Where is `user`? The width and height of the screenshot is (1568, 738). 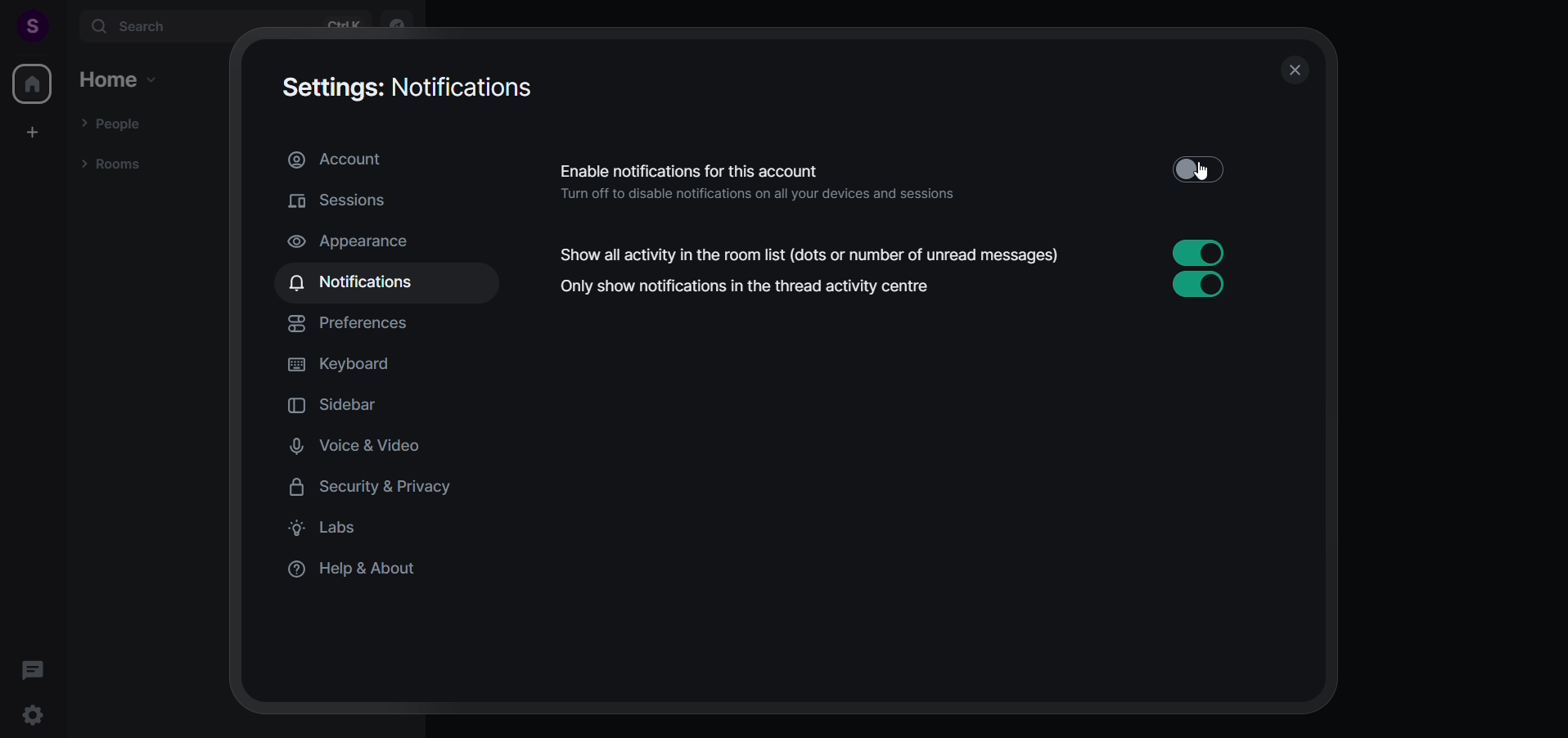
user is located at coordinates (25, 25).